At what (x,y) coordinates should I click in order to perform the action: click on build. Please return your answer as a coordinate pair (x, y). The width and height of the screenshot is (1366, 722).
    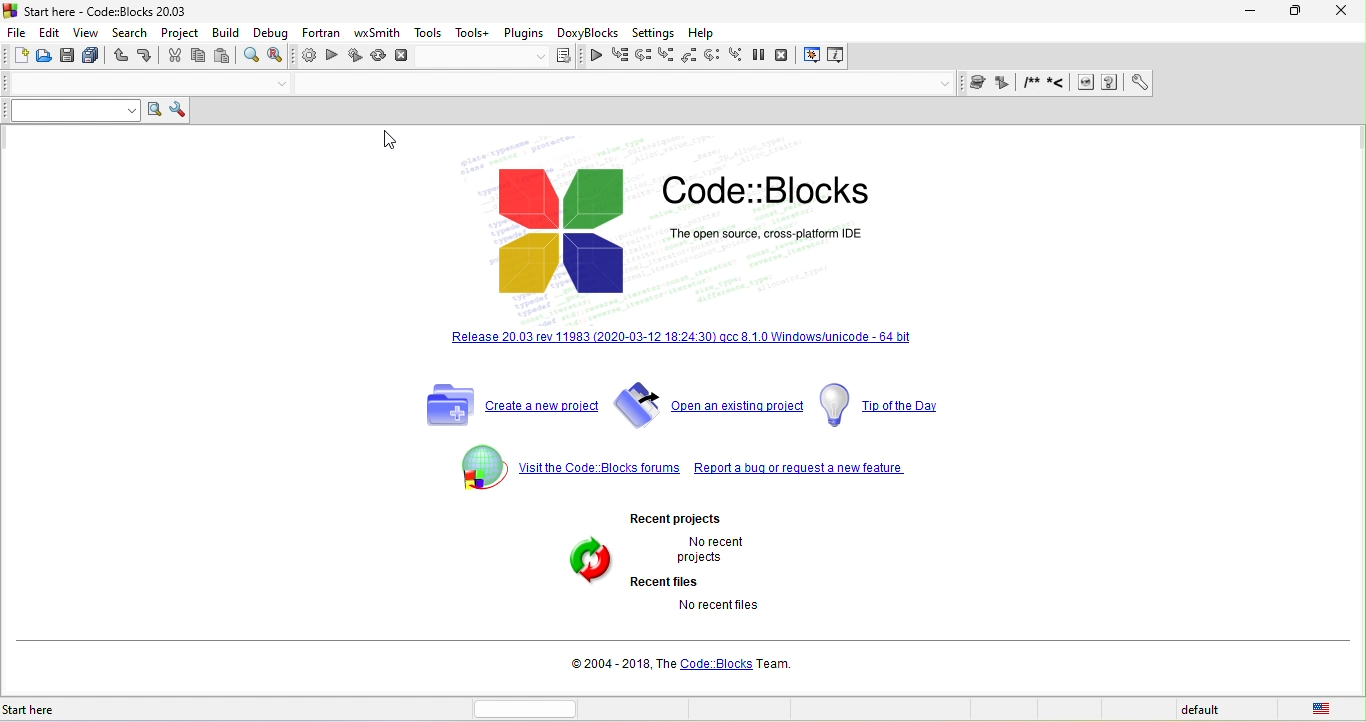
    Looking at the image, I should click on (226, 31).